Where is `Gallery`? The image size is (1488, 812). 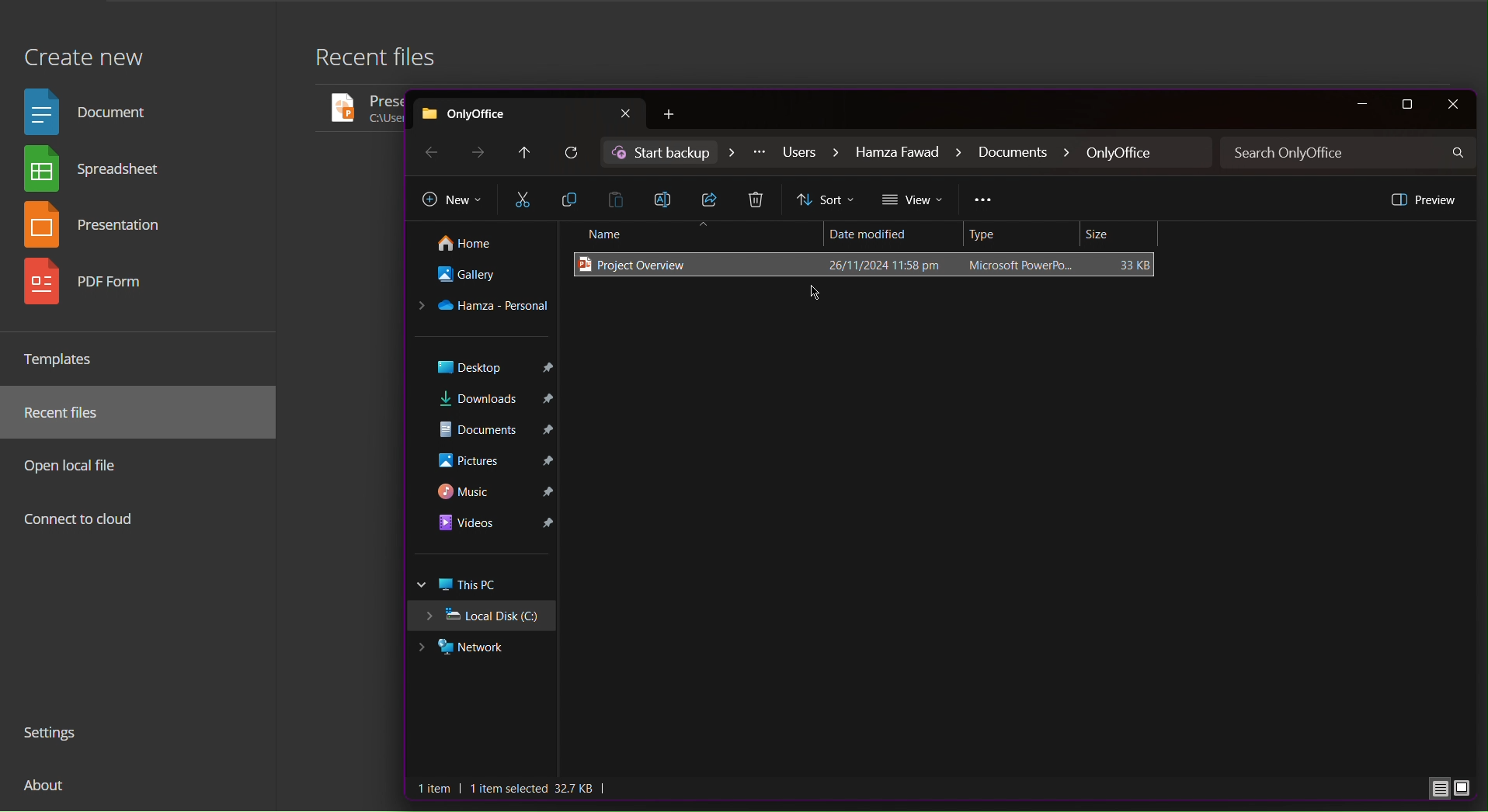 Gallery is located at coordinates (480, 279).